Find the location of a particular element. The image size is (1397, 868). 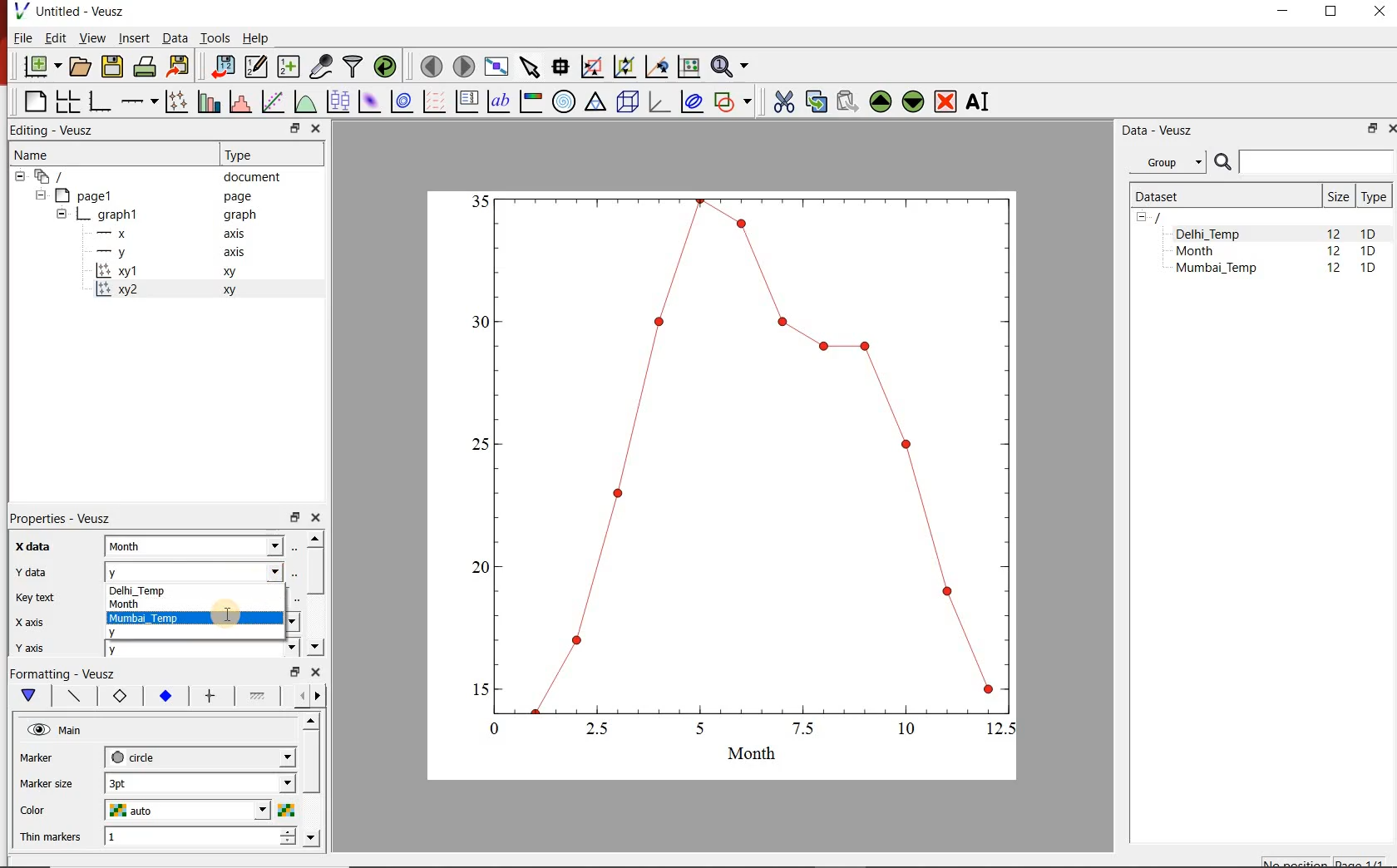

export to graphics format is located at coordinates (180, 67).